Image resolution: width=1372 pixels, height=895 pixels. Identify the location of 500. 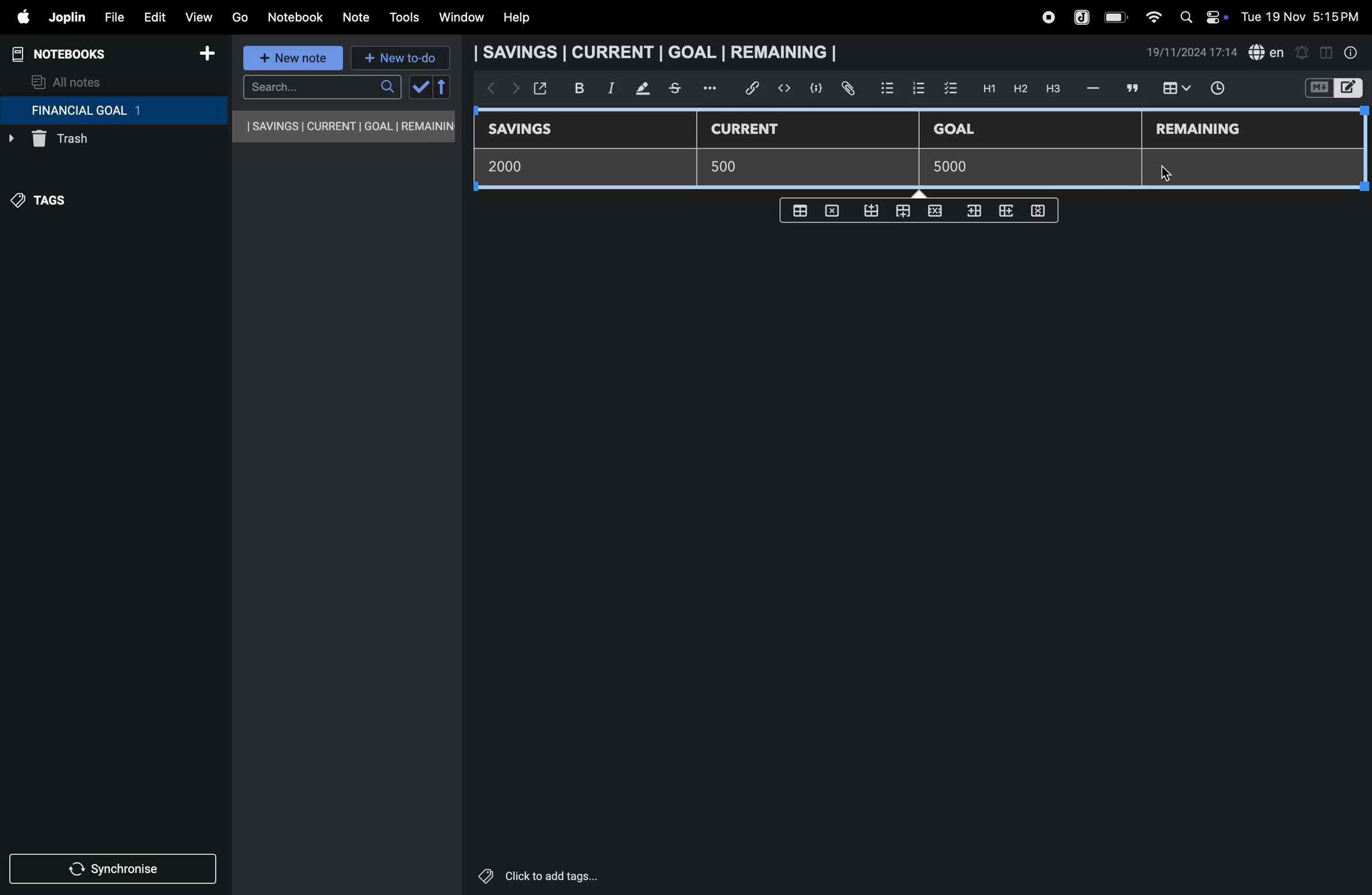
(947, 167).